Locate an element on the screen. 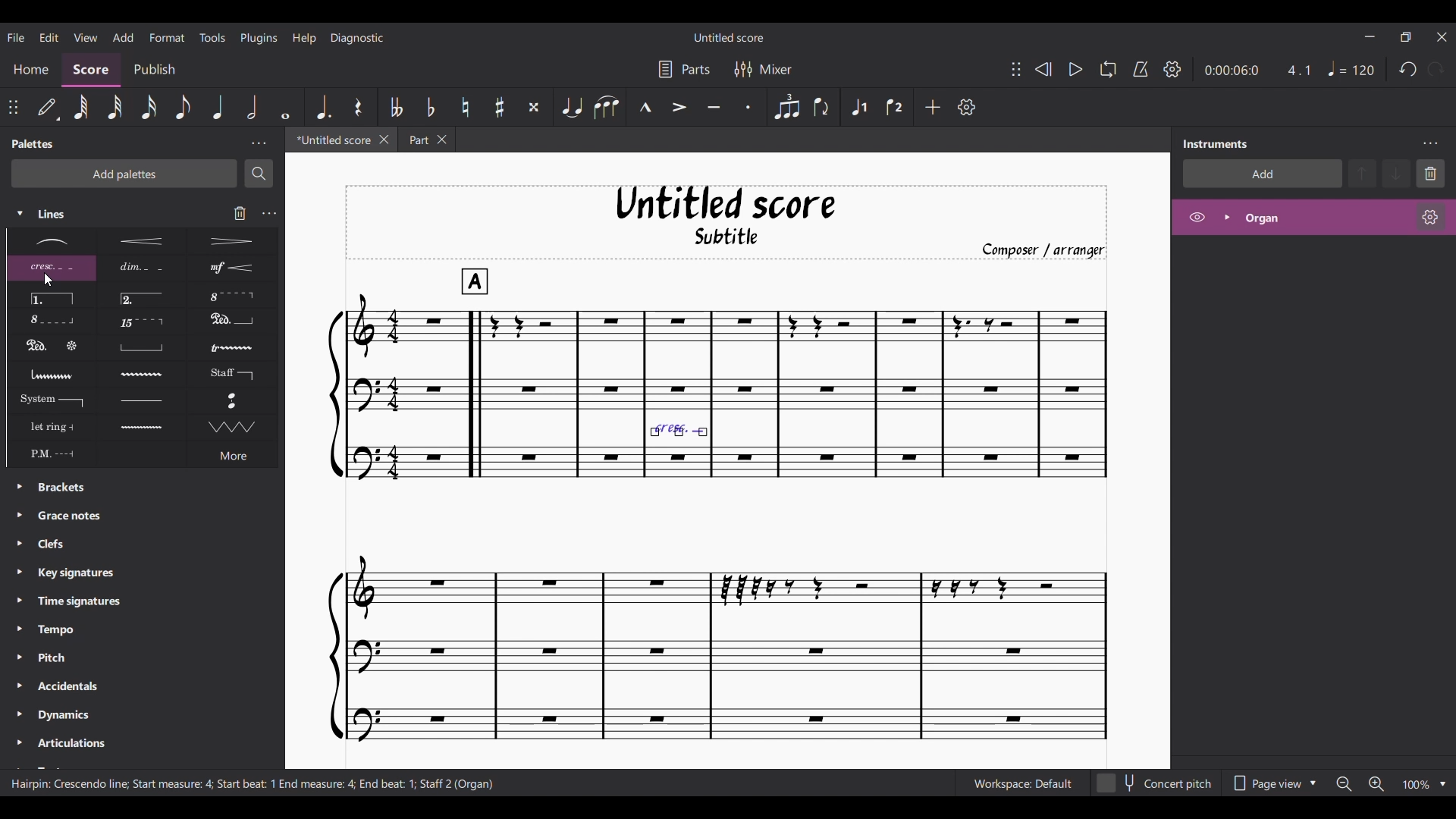 This screenshot has width=1456, height=819. 16th note is located at coordinates (149, 108).